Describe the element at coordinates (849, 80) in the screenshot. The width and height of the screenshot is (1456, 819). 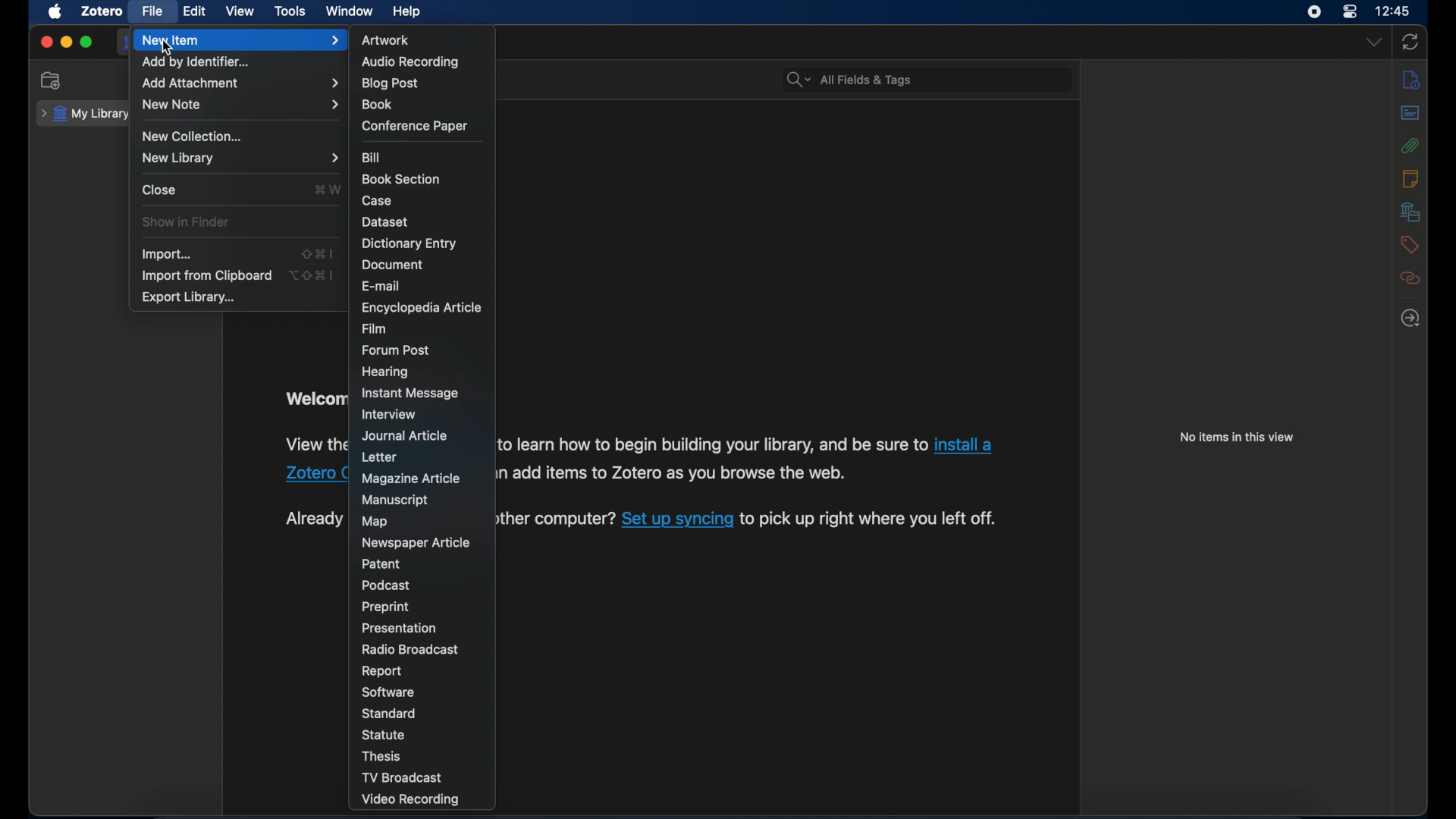
I see `search` at that location.